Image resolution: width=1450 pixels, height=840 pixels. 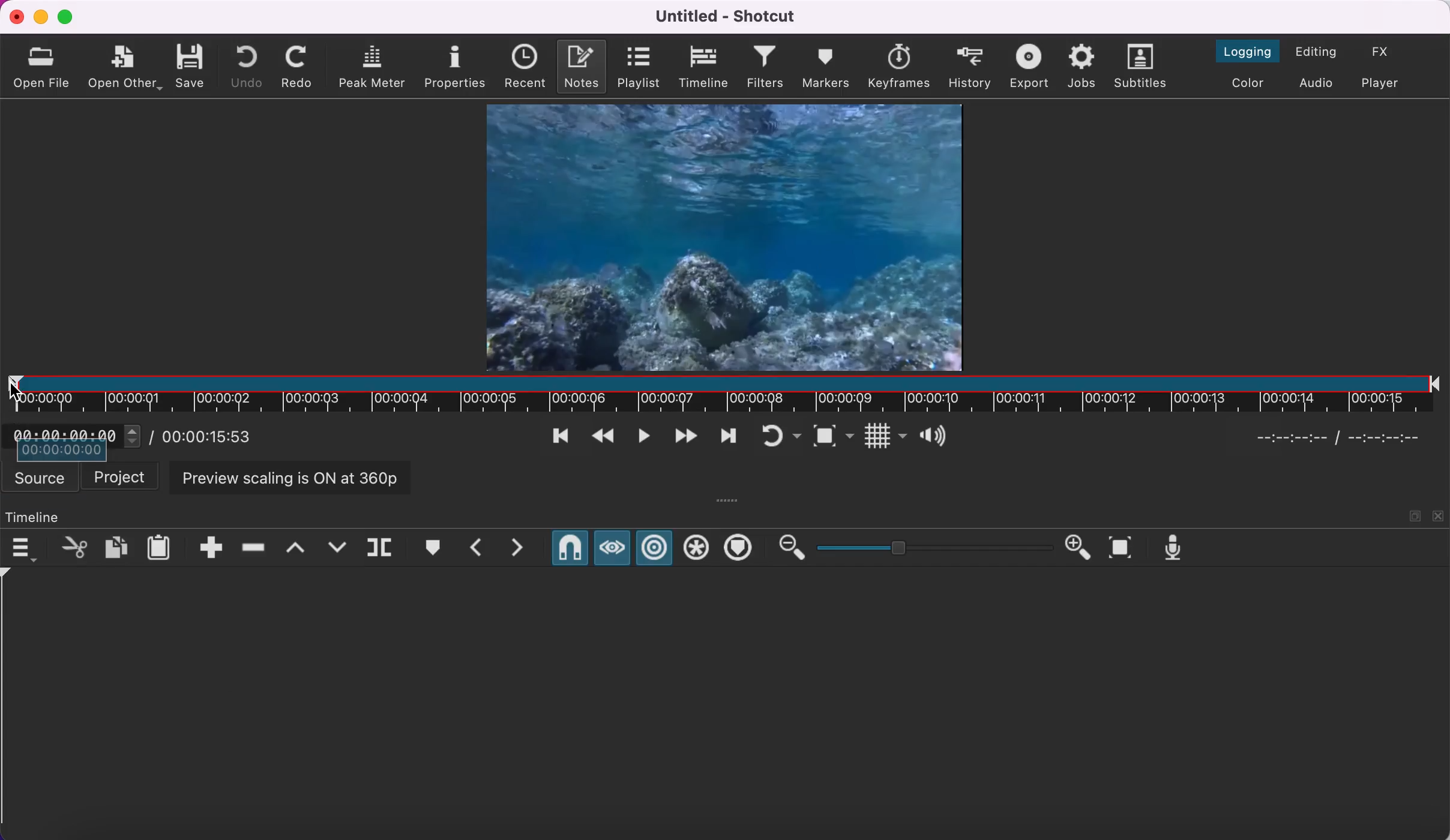 What do you see at coordinates (194, 64) in the screenshot?
I see `save` at bounding box center [194, 64].